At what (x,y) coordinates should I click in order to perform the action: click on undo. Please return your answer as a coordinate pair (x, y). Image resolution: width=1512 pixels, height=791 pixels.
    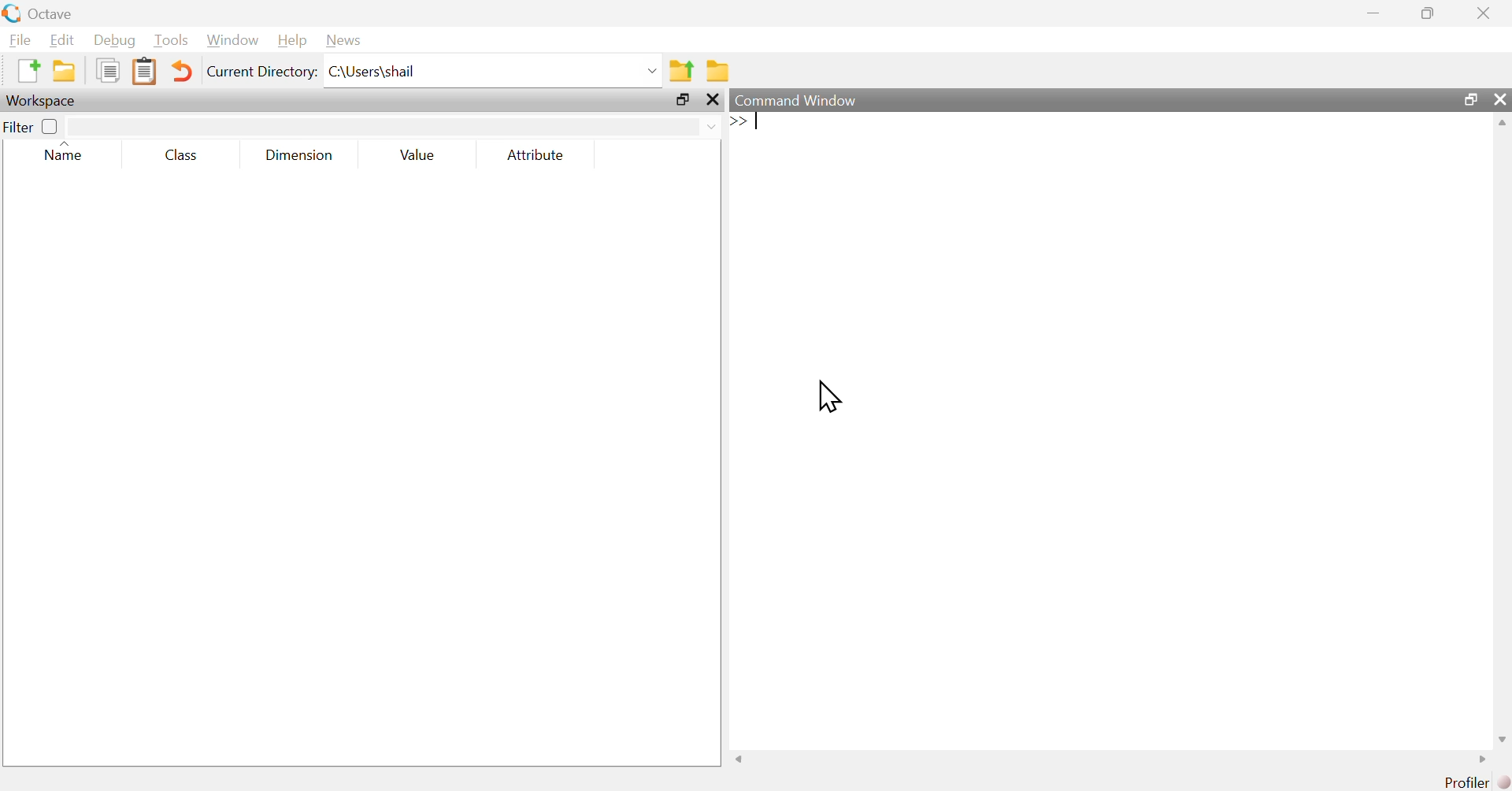
    Looking at the image, I should click on (182, 70).